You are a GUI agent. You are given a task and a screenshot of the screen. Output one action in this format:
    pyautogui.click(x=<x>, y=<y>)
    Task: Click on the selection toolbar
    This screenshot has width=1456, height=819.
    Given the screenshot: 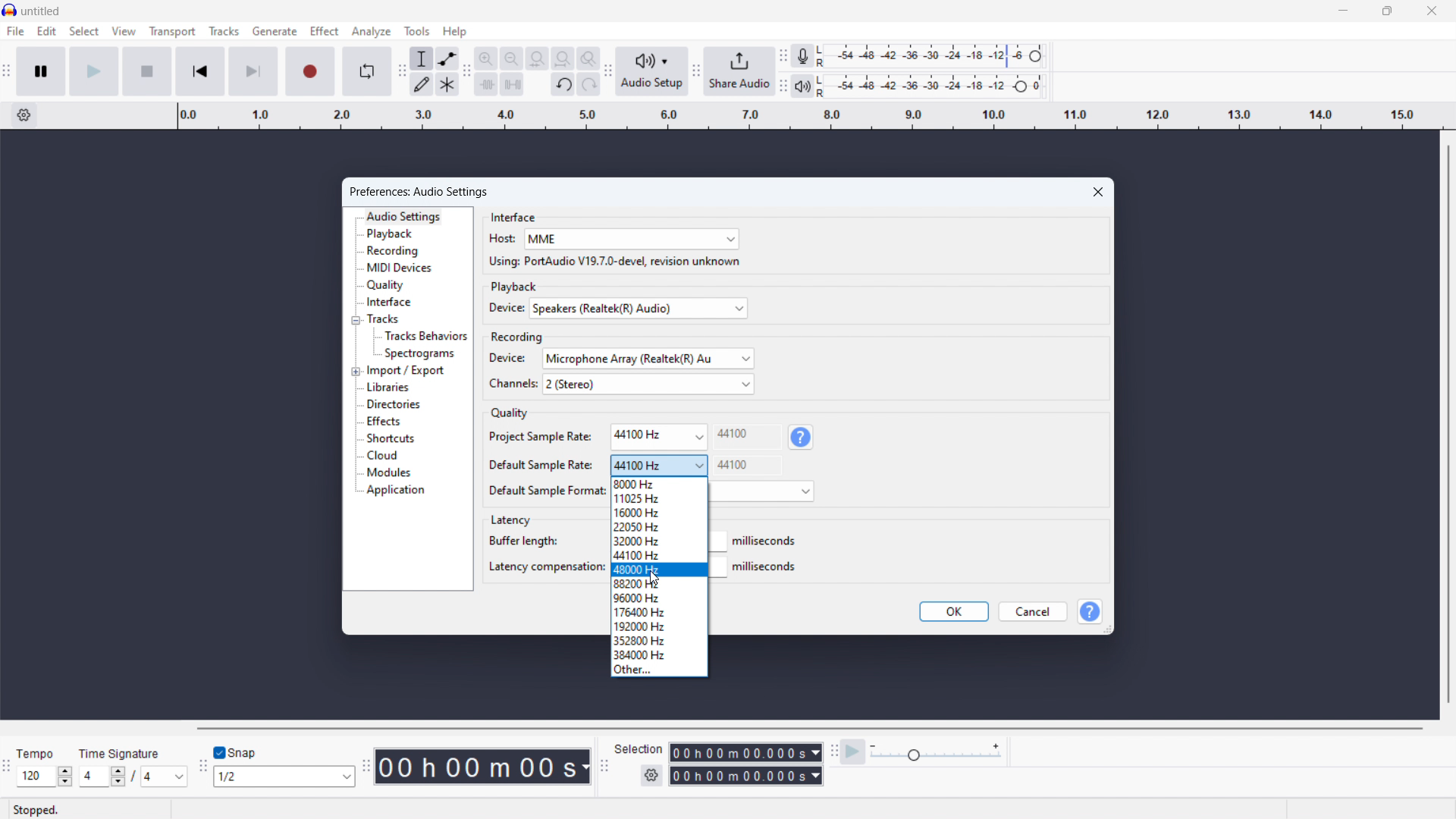 What is the action you would take?
    pyautogui.click(x=604, y=767)
    